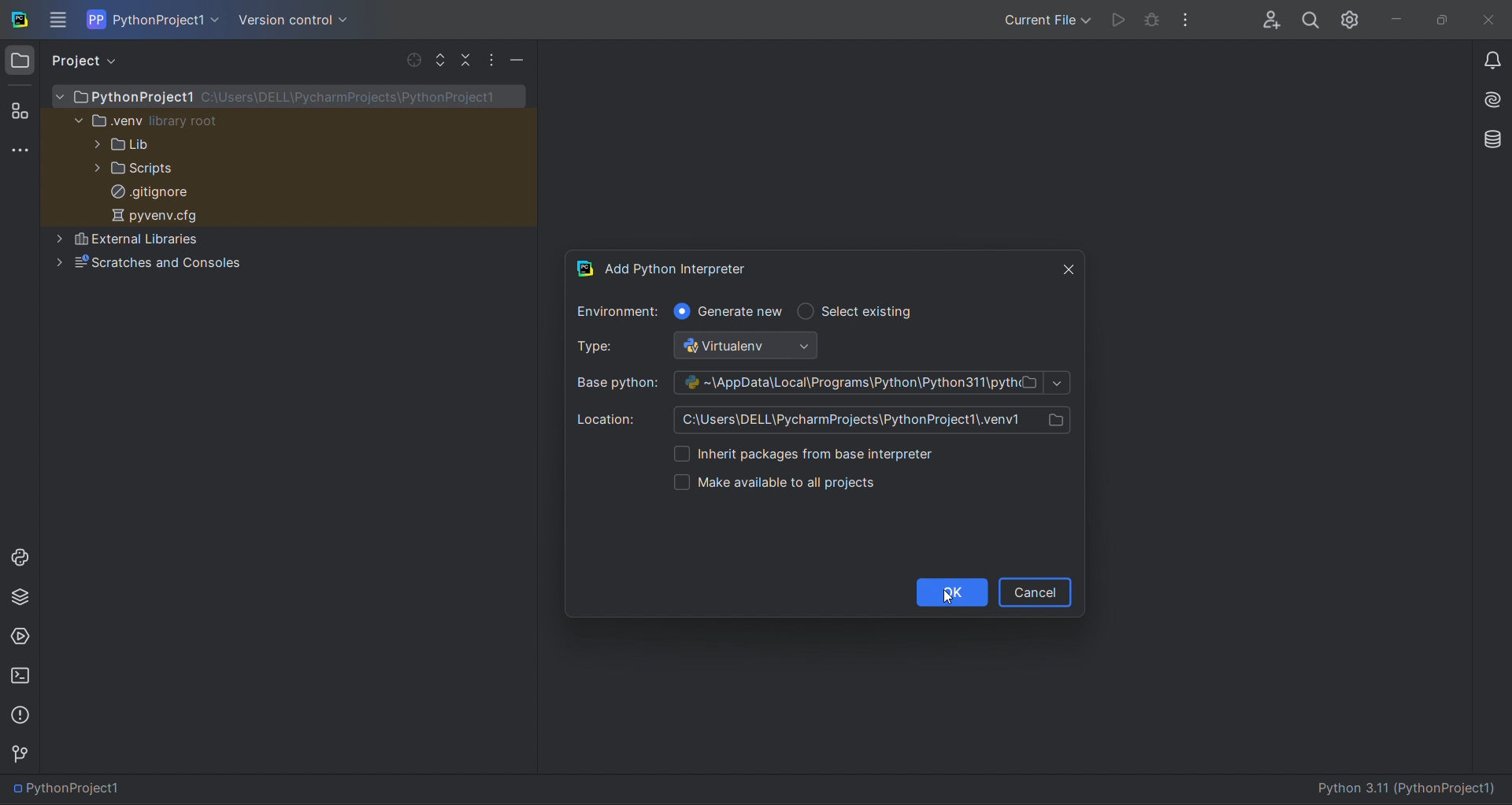 This screenshot has height=805, width=1512. I want to click on minimize, so click(518, 60).